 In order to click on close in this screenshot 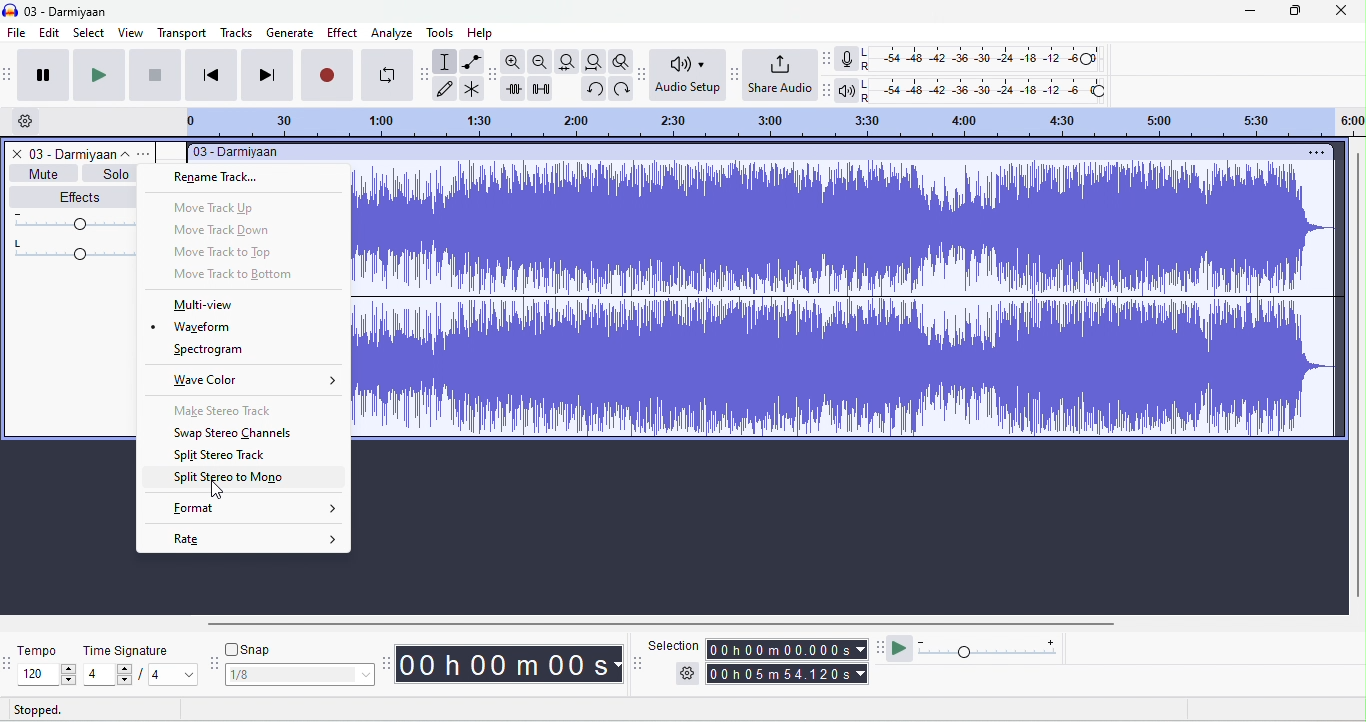, I will do `click(15, 153)`.